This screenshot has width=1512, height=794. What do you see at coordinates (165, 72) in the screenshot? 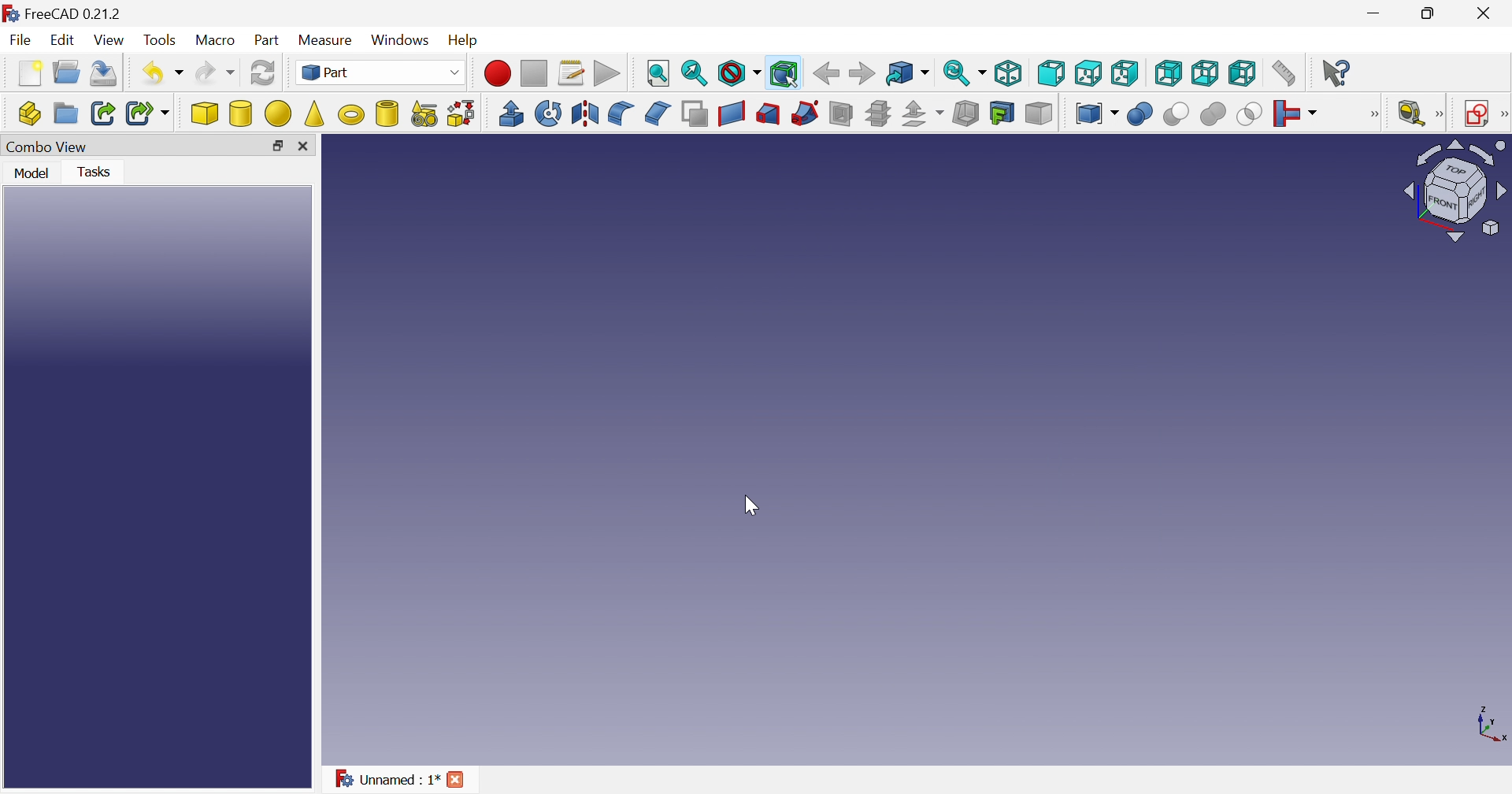
I see `Undo` at bounding box center [165, 72].